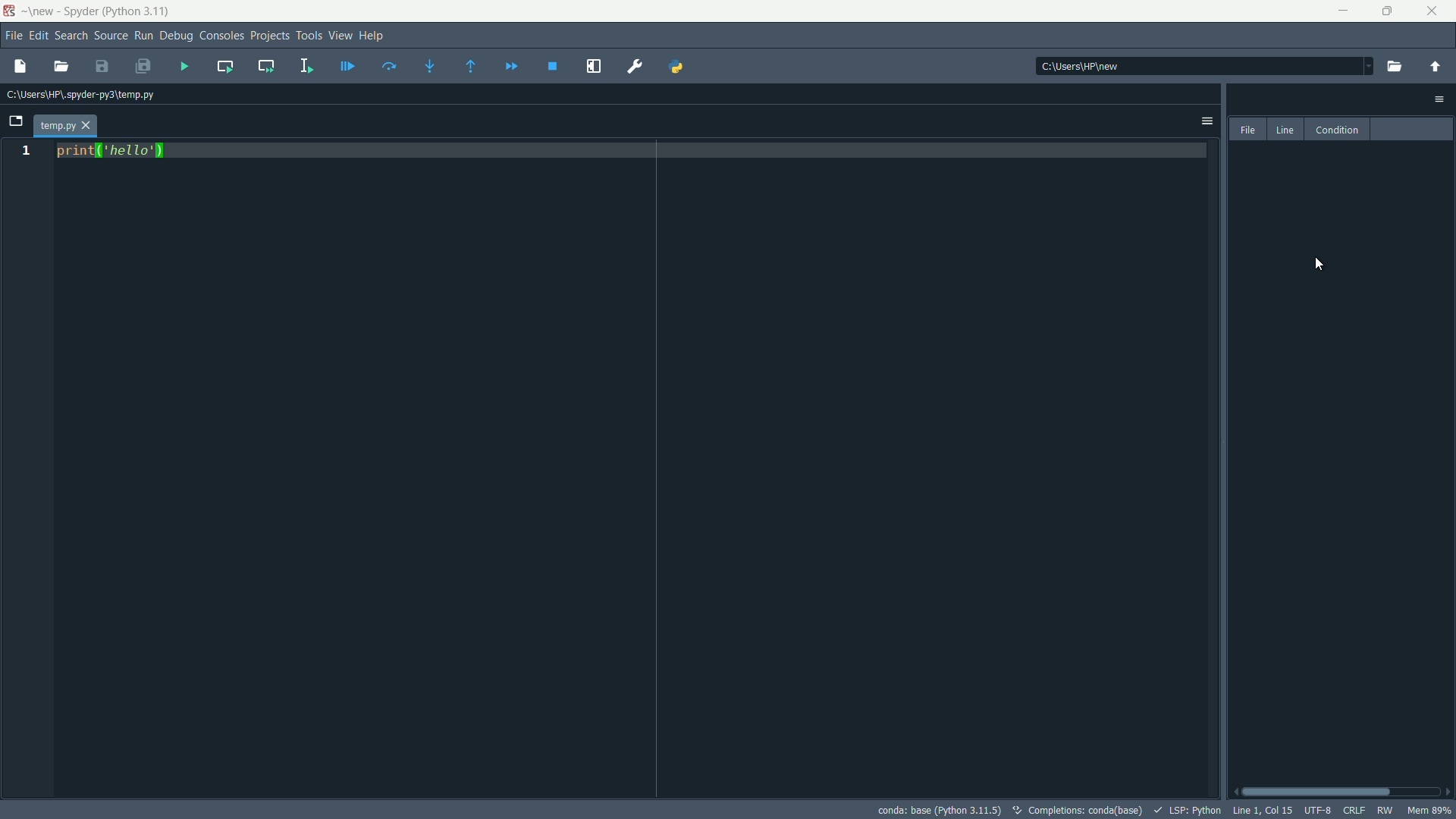 Image resolution: width=1456 pixels, height=819 pixels. I want to click on view menu, so click(339, 36).